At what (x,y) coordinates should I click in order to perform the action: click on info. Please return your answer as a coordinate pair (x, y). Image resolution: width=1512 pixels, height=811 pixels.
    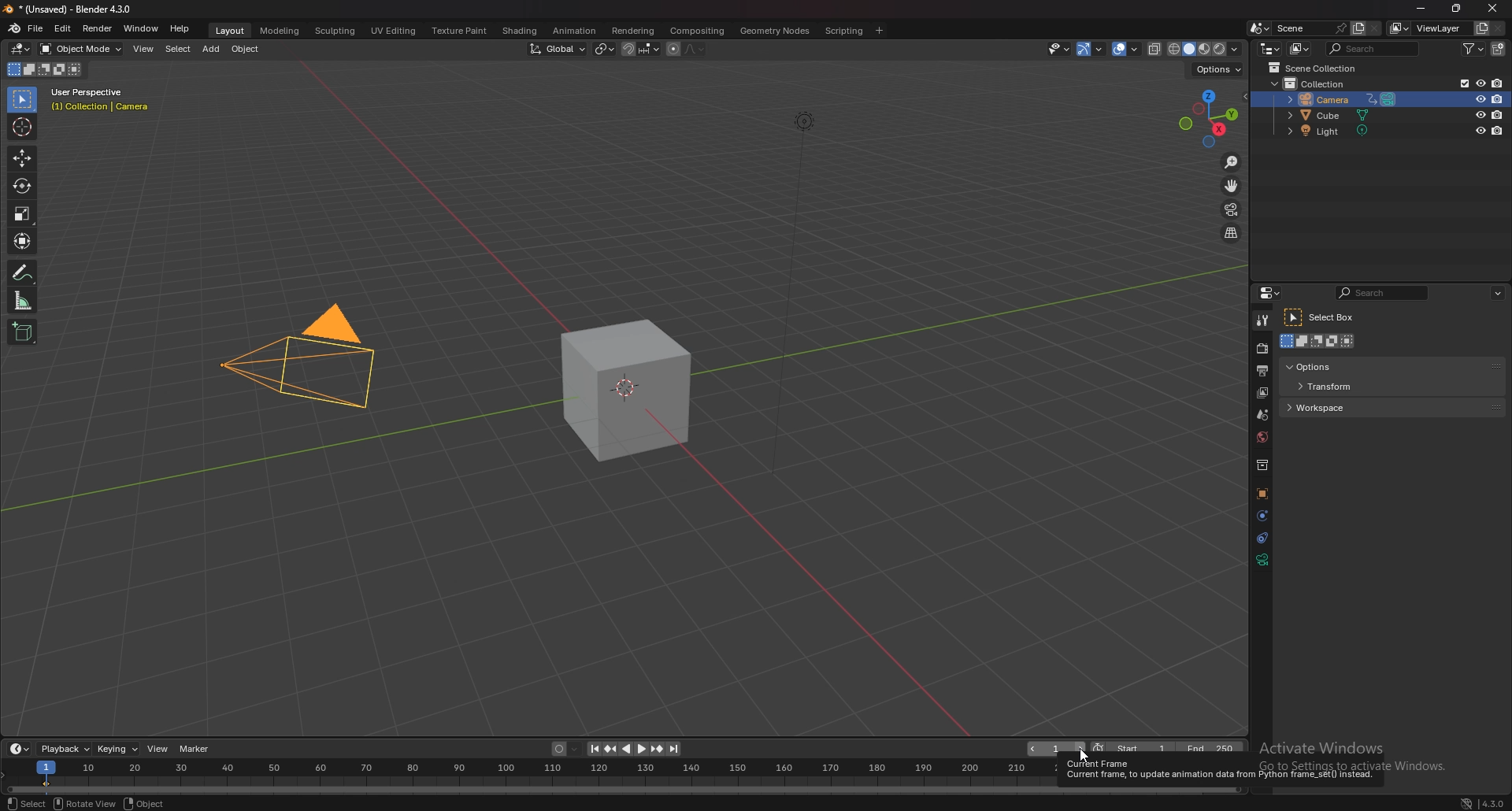
    Looking at the image, I should click on (103, 100).